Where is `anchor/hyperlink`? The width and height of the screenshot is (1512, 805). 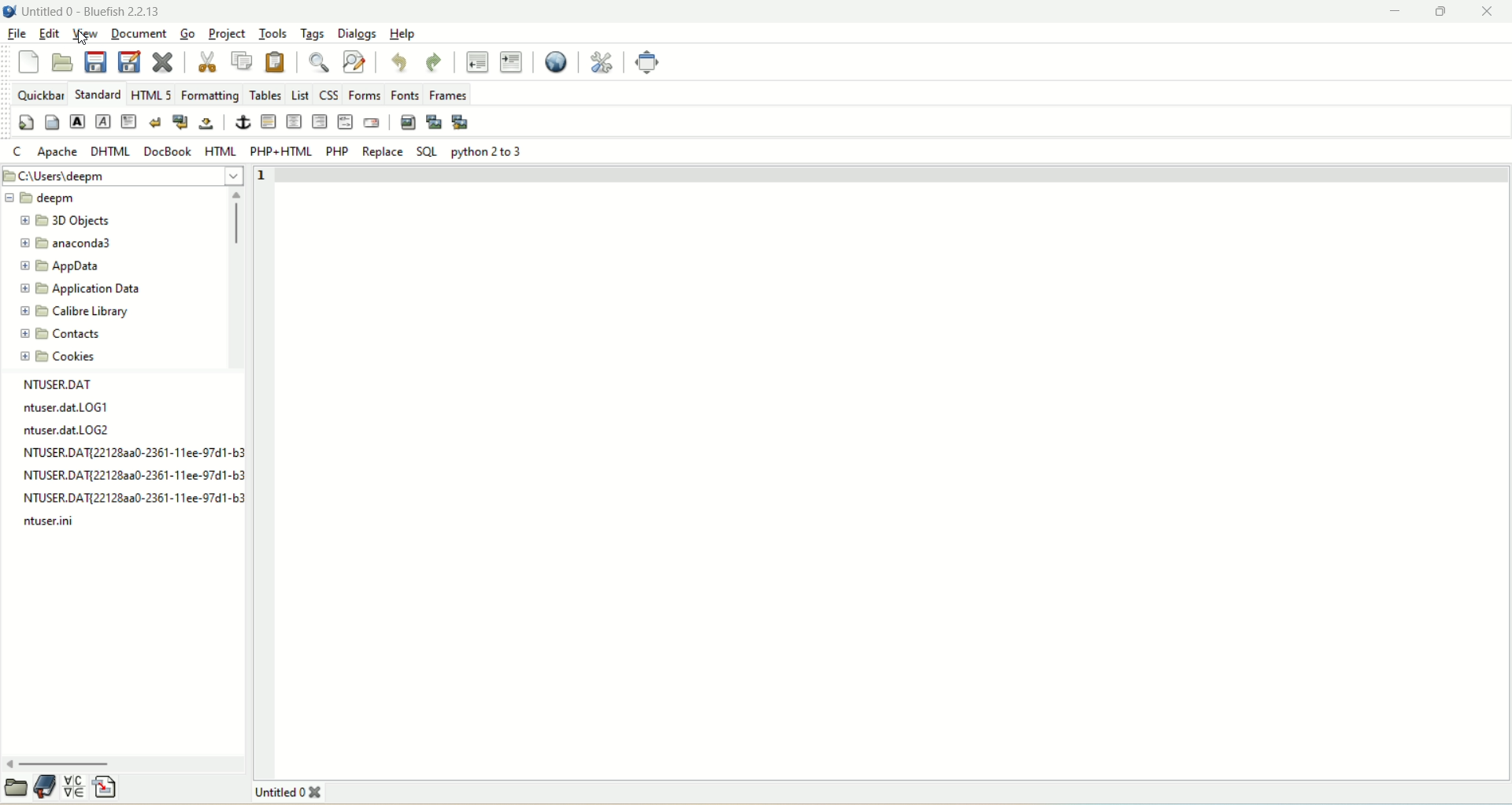 anchor/hyperlink is located at coordinates (239, 123).